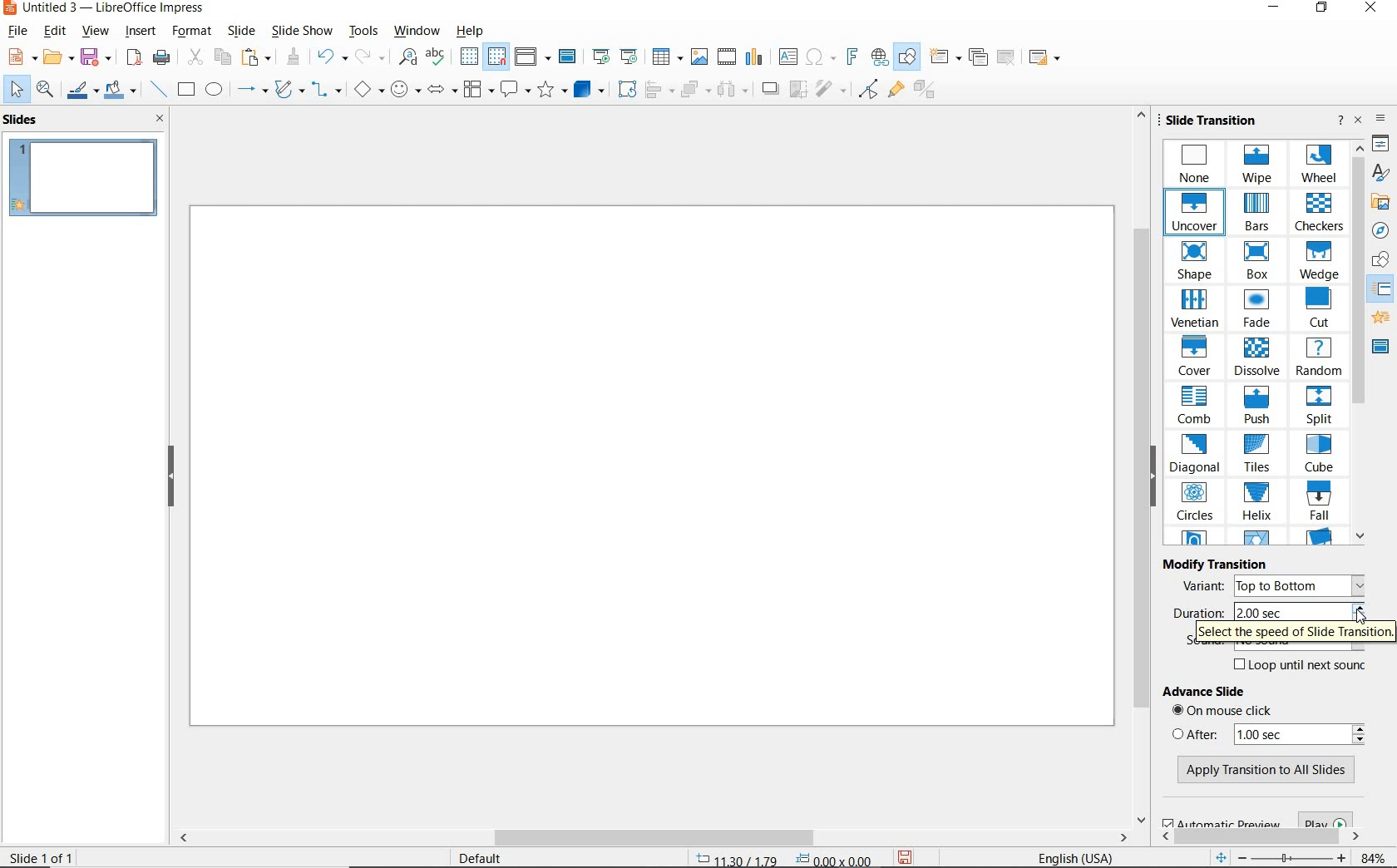 Image resolution: width=1397 pixels, height=868 pixels. I want to click on MODIFY TRANSITION, so click(1217, 563).